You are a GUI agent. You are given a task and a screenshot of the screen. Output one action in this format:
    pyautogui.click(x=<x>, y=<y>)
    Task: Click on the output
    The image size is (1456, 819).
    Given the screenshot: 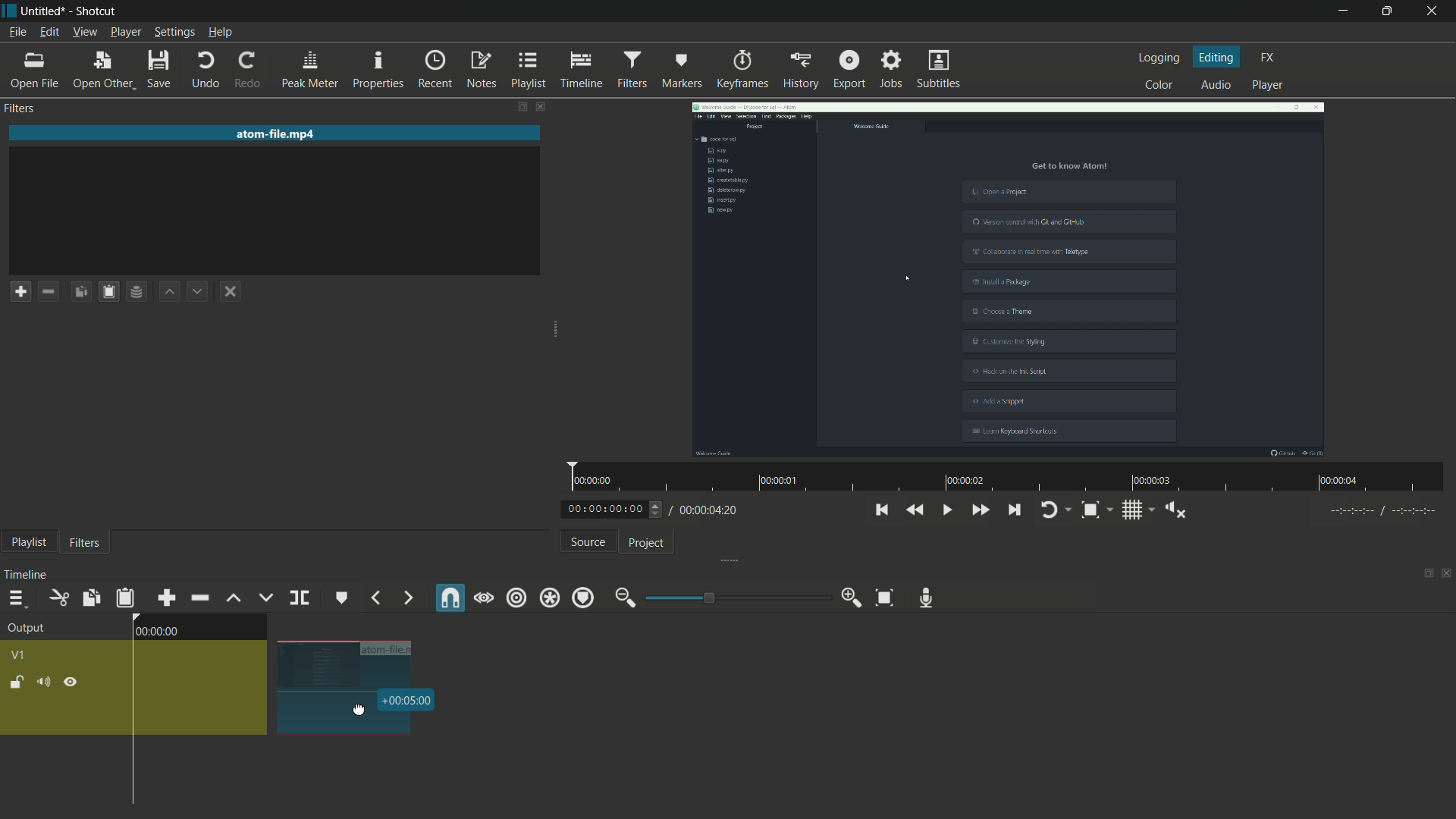 What is the action you would take?
    pyautogui.click(x=25, y=628)
    